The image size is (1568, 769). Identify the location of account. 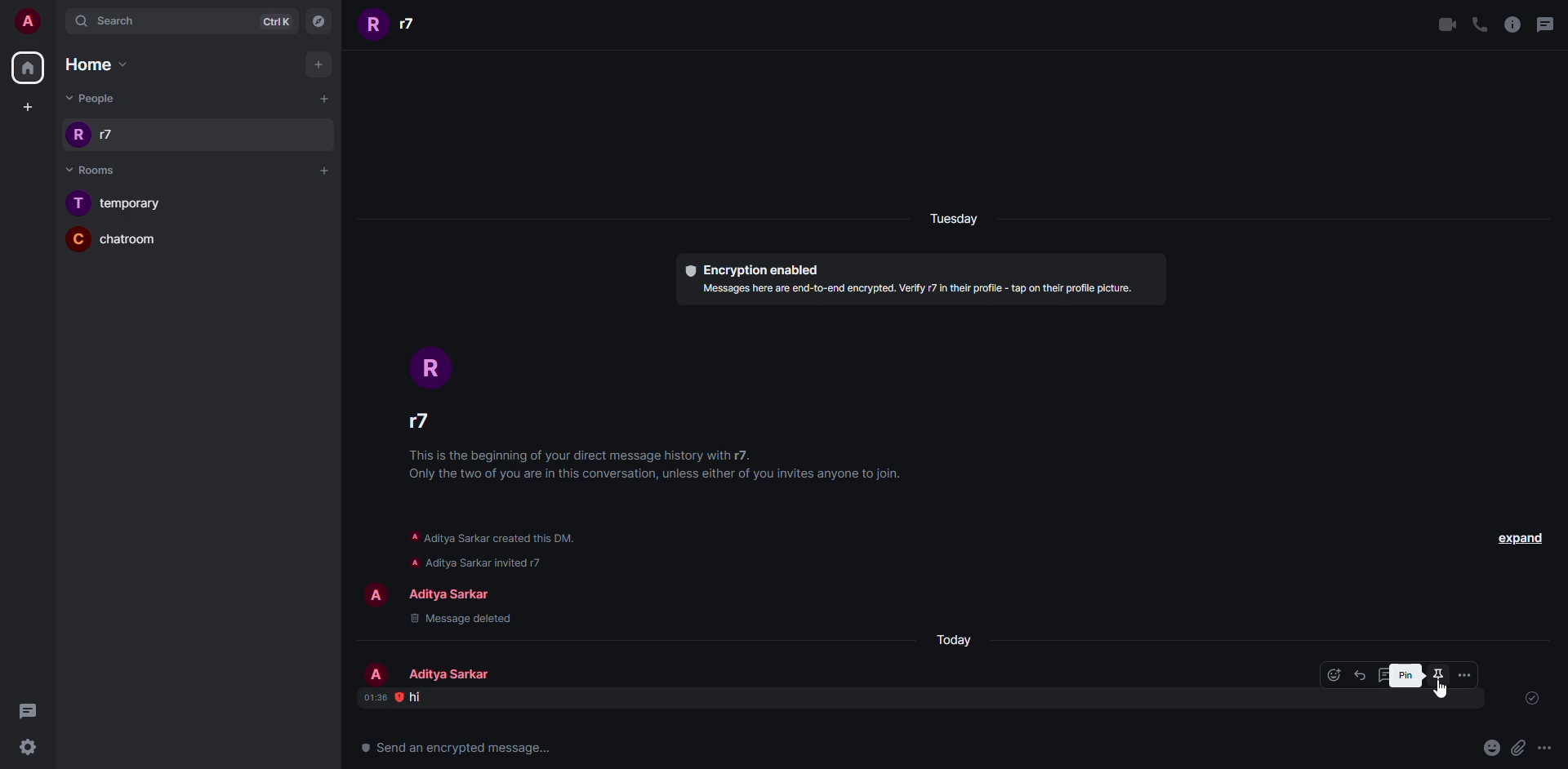
(25, 22).